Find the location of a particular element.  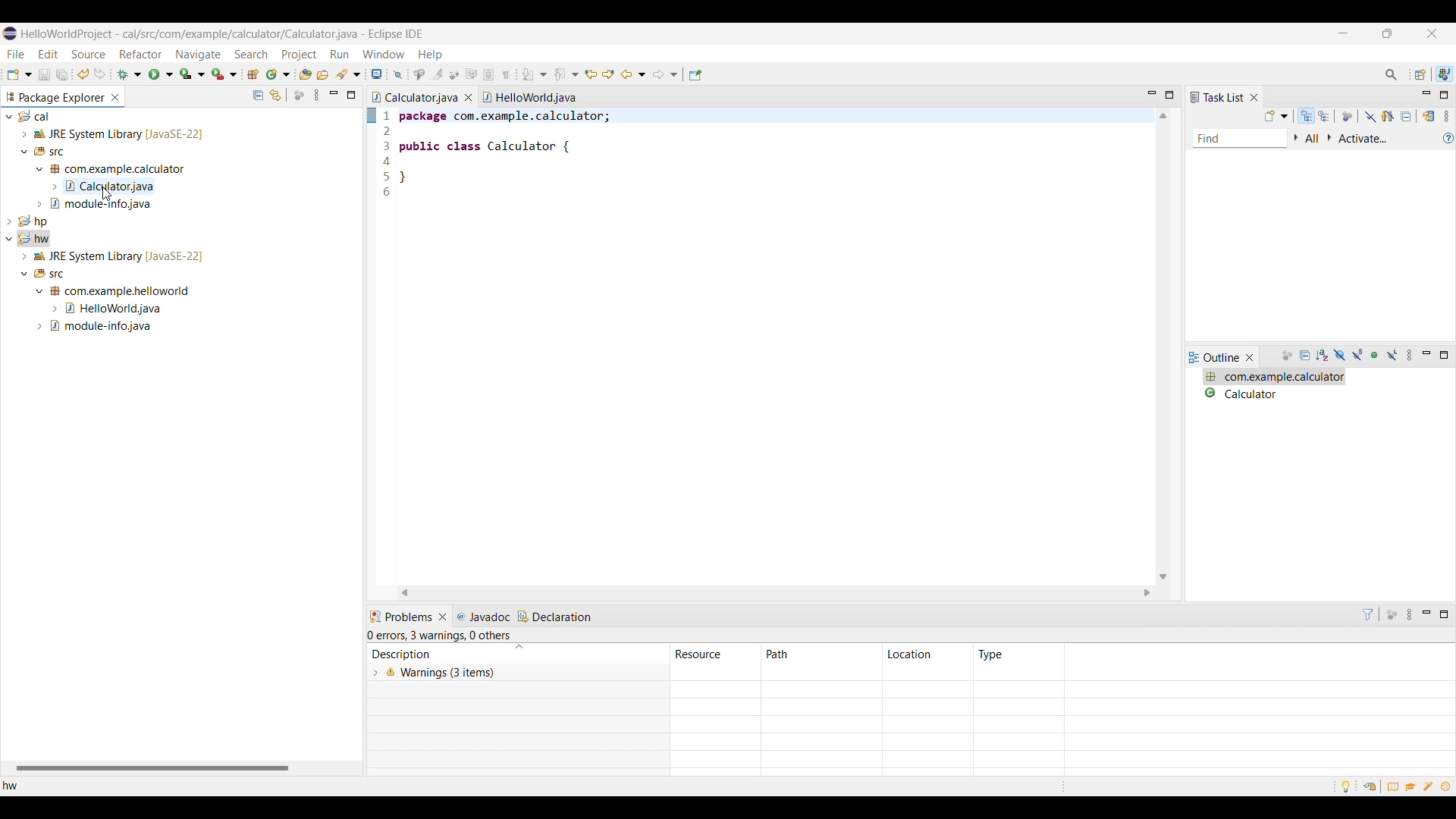

Minimize is located at coordinates (1343, 33).